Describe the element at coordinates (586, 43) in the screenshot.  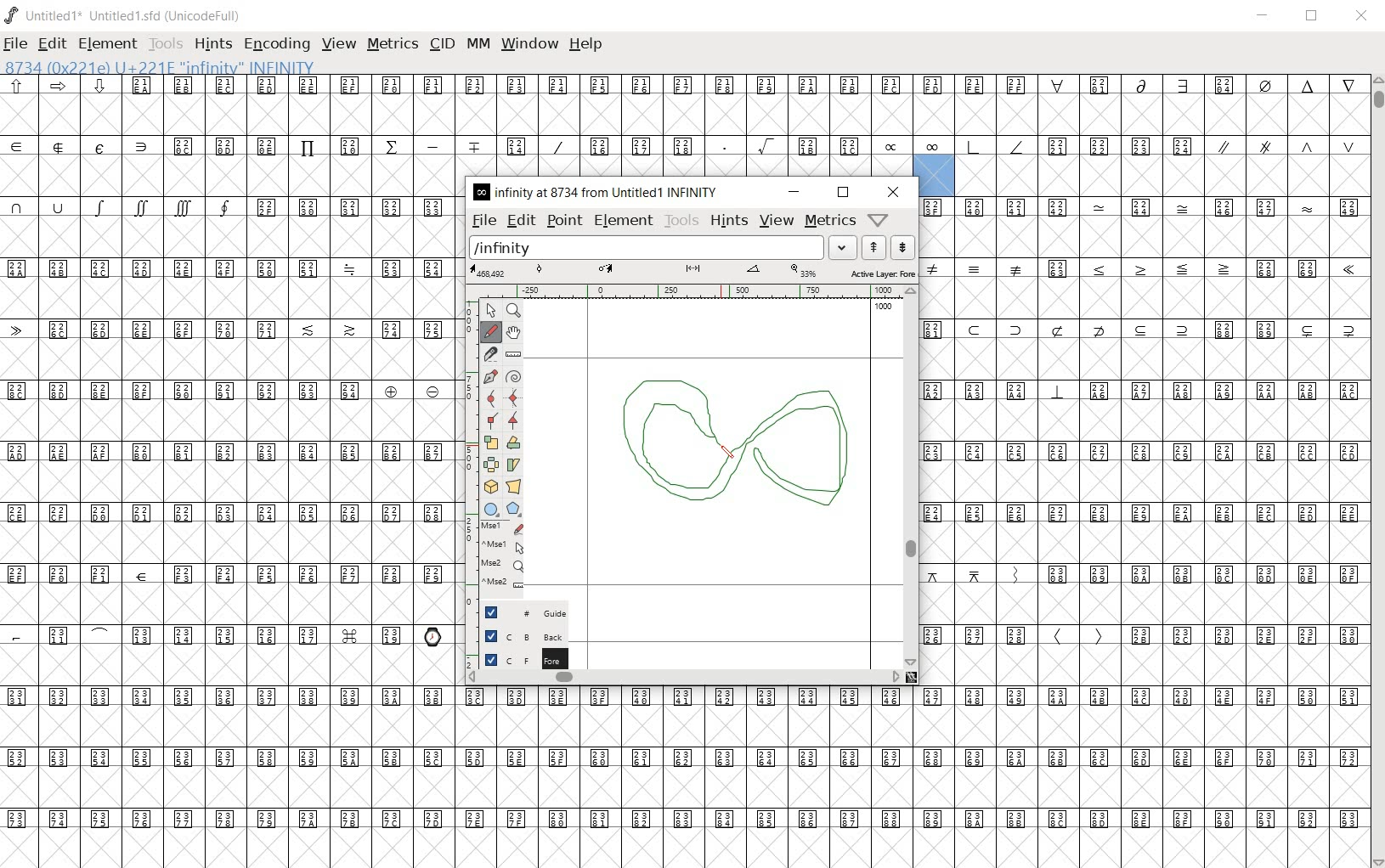
I see `help` at that location.